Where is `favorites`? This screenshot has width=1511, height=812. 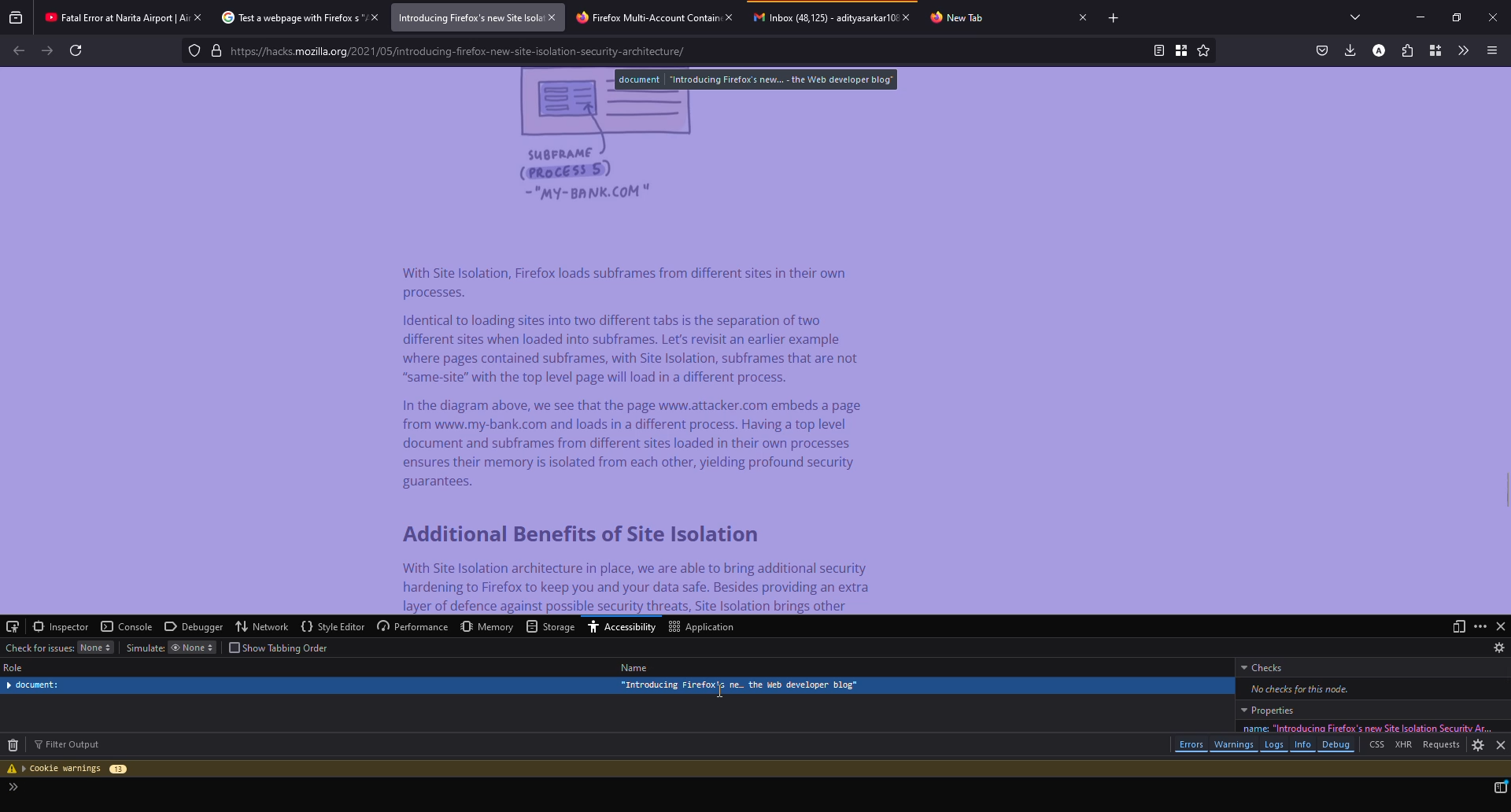
favorites is located at coordinates (1203, 50).